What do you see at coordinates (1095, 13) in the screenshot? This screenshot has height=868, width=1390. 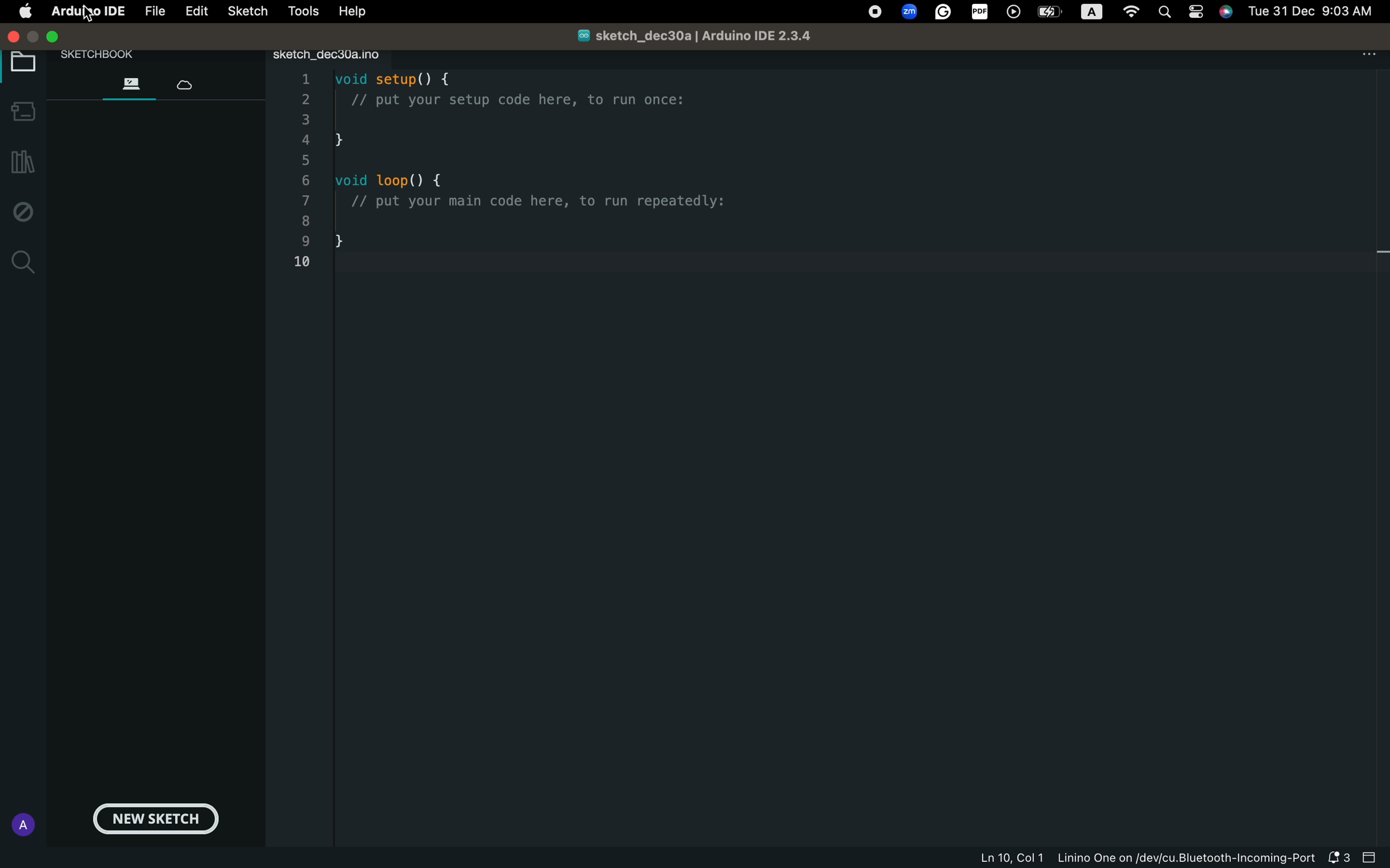 I see `Brightness` at bounding box center [1095, 13].